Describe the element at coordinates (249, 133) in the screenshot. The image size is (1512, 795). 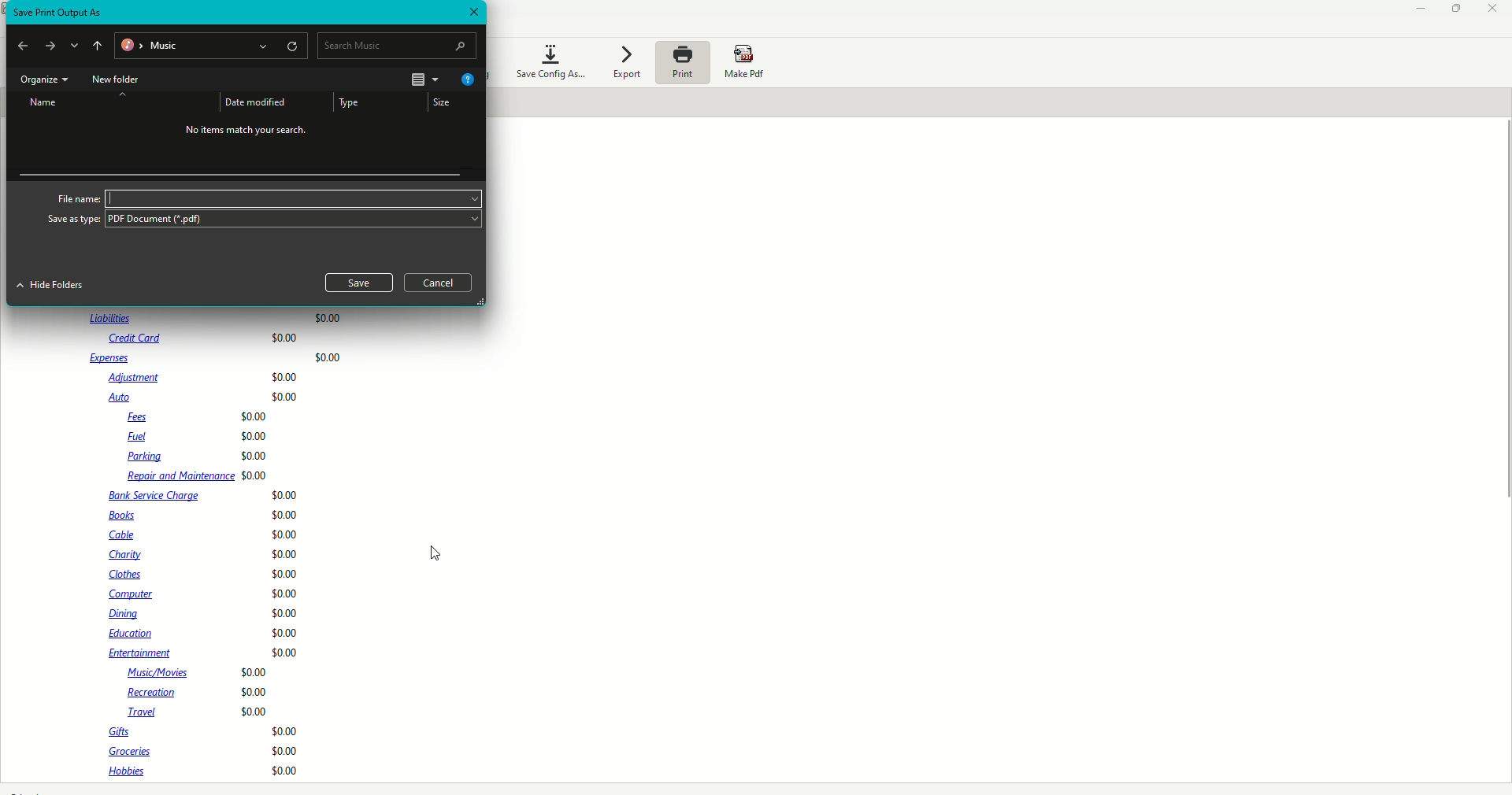
I see `No items match your search` at that location.